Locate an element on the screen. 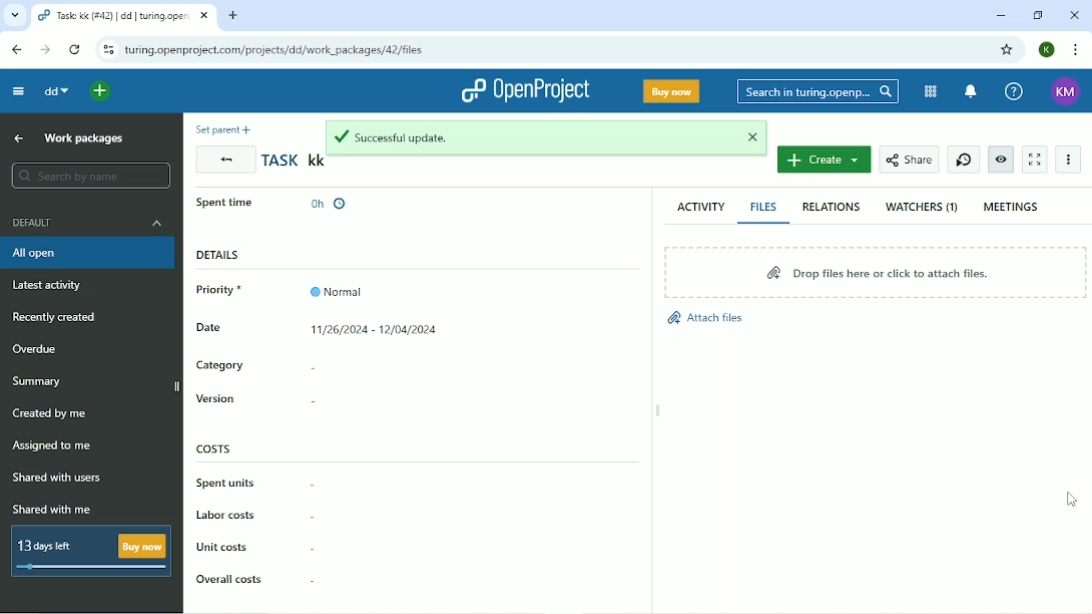 This screenshot has width=1092, height=614. Details is located at coordinates (218, 256).